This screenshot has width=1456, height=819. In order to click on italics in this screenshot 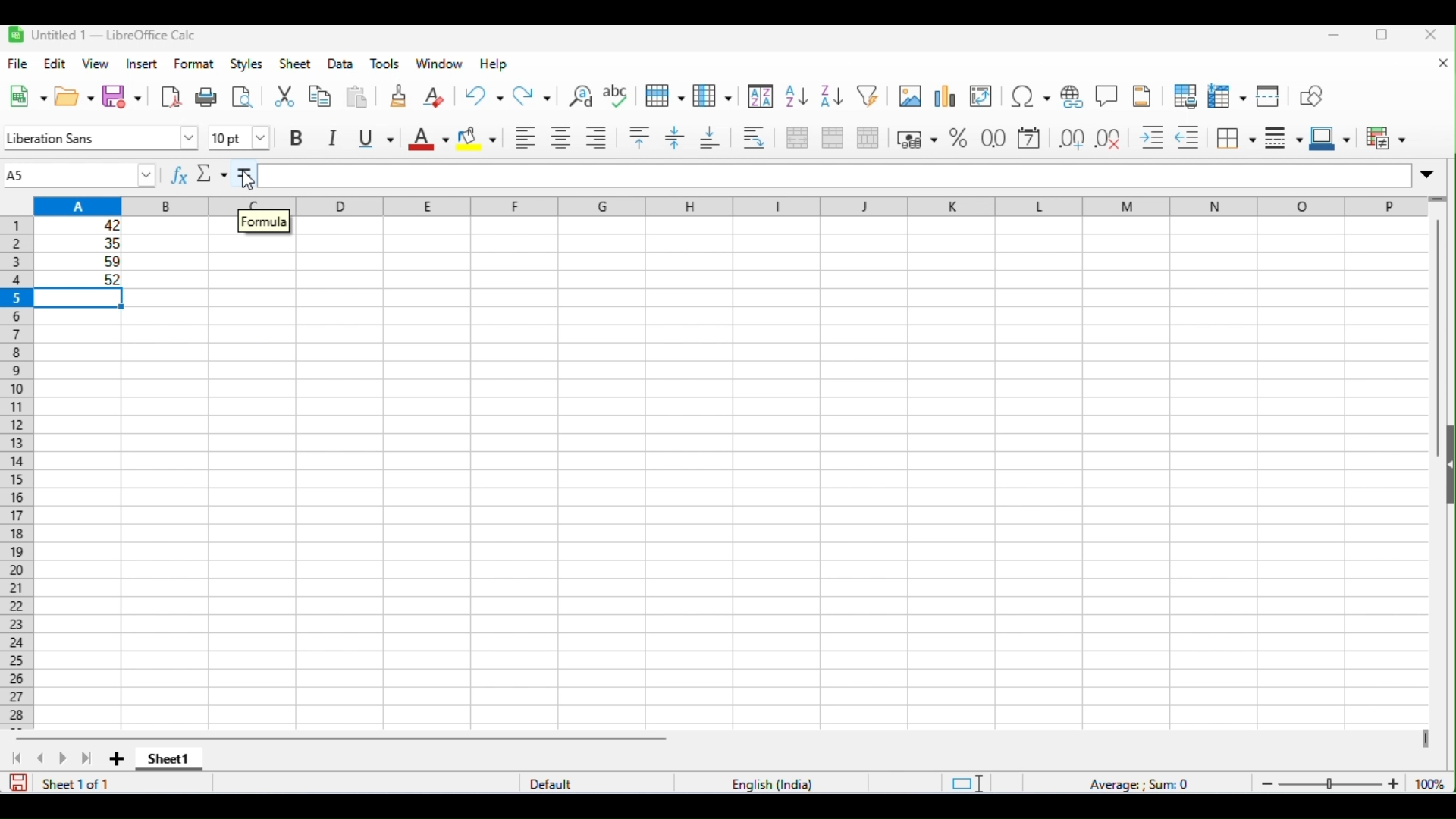, I will do `click(334, 138)`.